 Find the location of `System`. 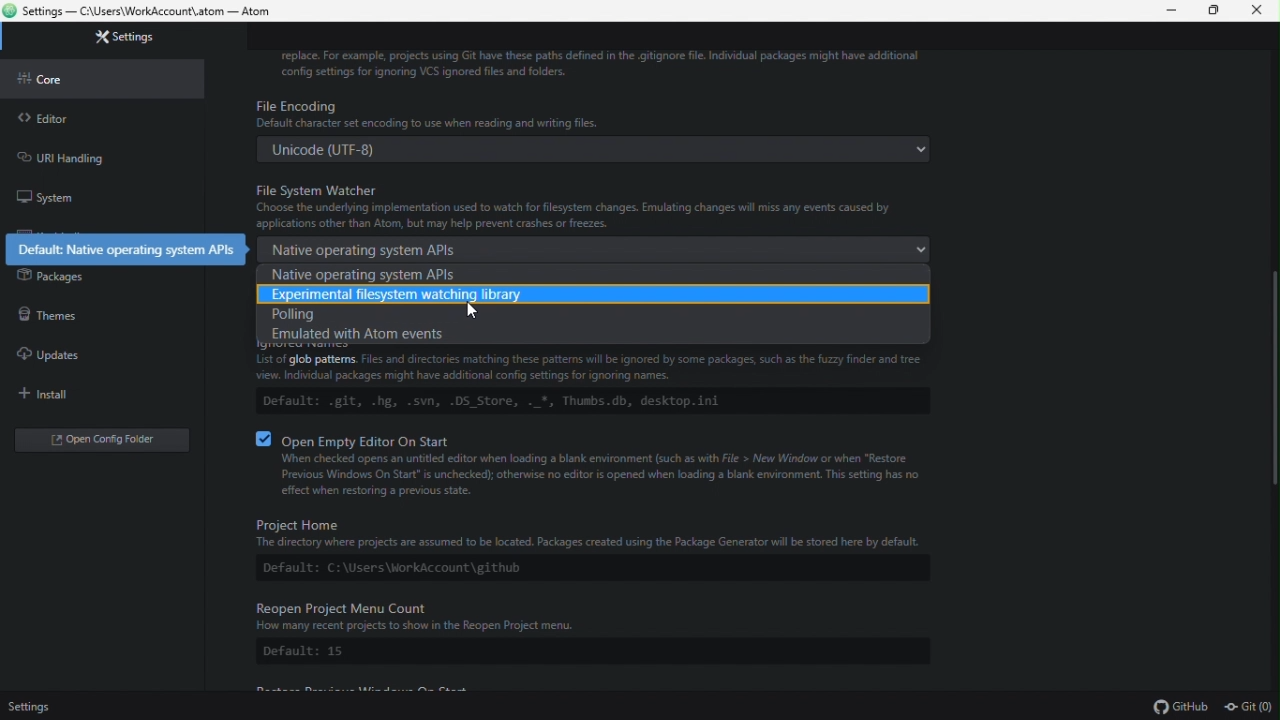

System is located at coordinates (55, 199).